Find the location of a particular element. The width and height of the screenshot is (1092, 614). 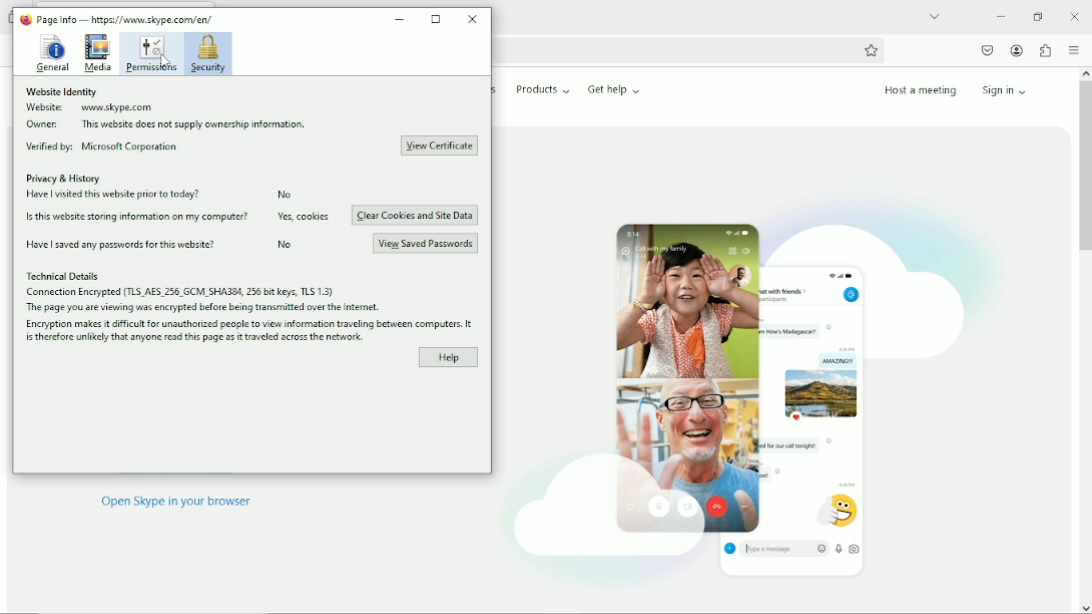

Permissions is located at coordinates (150, 53).